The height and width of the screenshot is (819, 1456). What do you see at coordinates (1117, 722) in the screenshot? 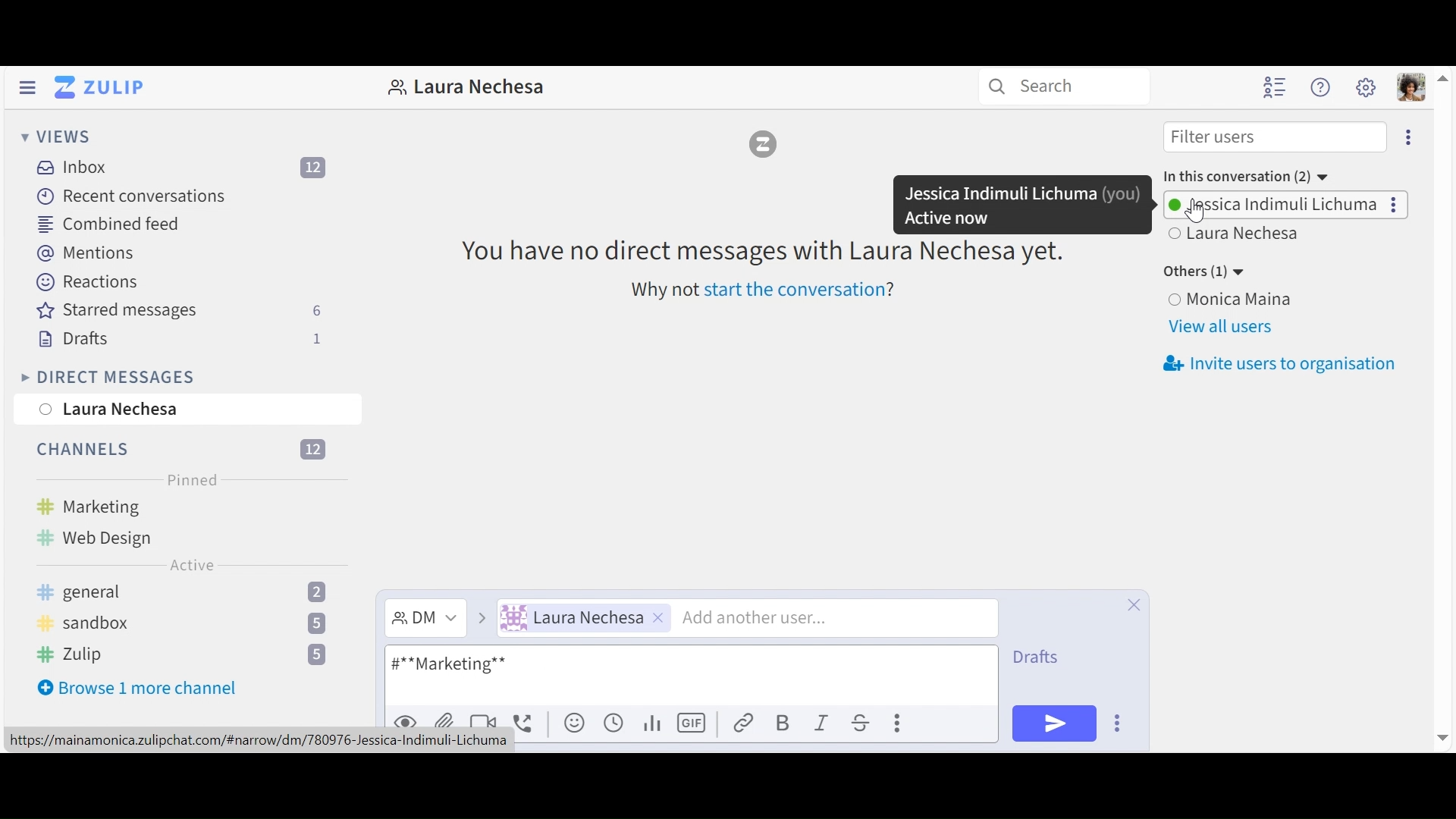
I see `compose actions` at bounding box center [1117, 722].